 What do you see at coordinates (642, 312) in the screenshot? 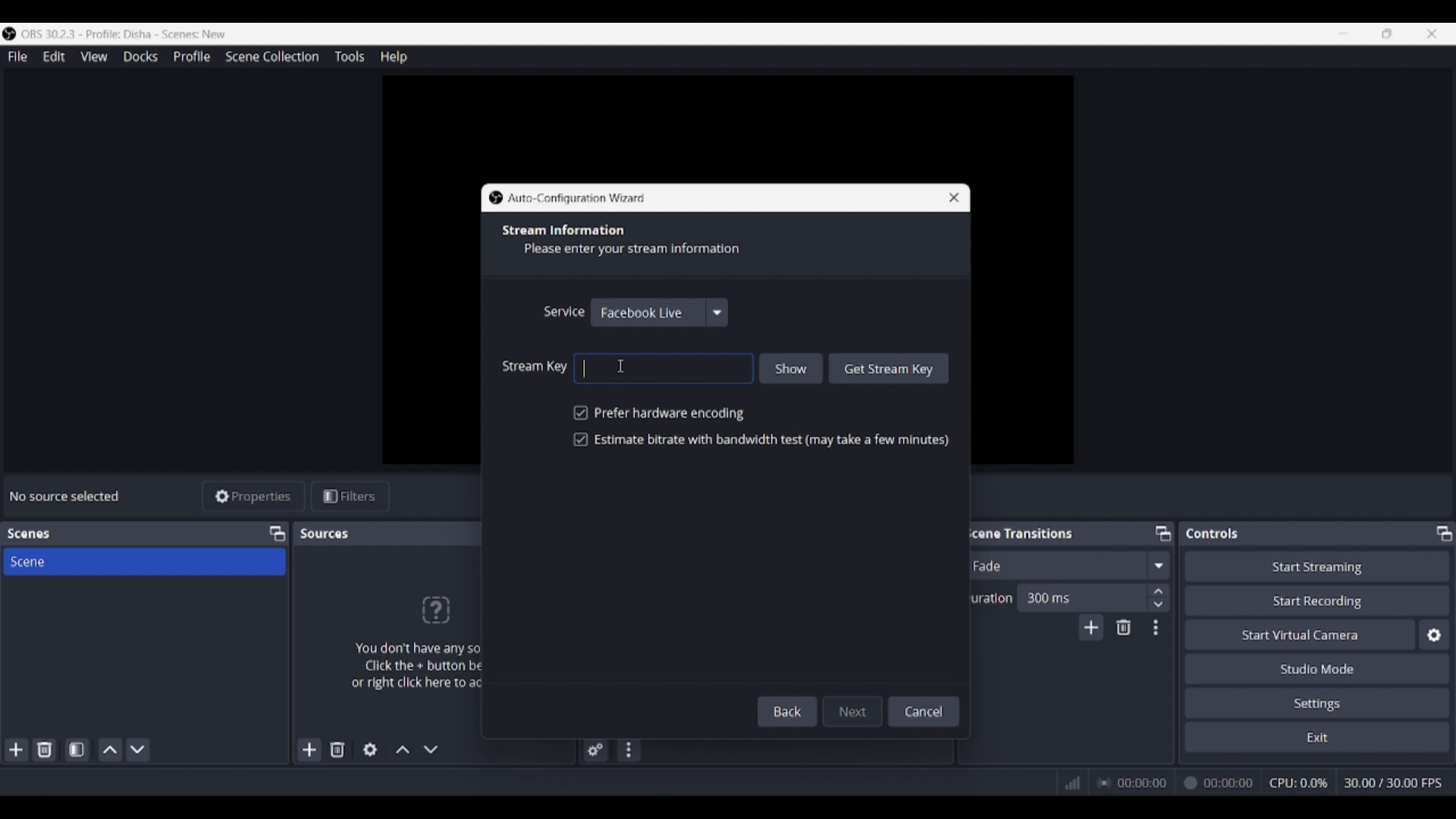
I see `Choosen service option` at bounding box center [642, 312].